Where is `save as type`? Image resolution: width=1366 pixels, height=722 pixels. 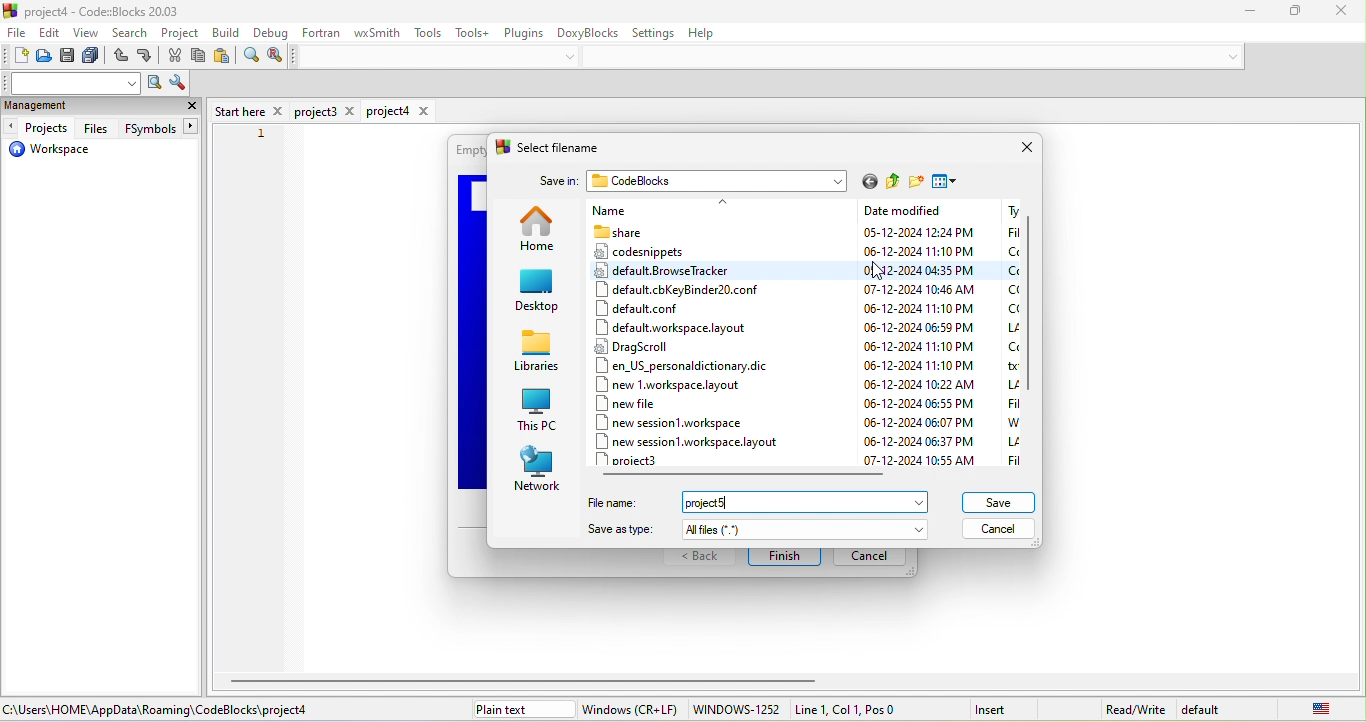
save as type is located at coordinates (758, 530).